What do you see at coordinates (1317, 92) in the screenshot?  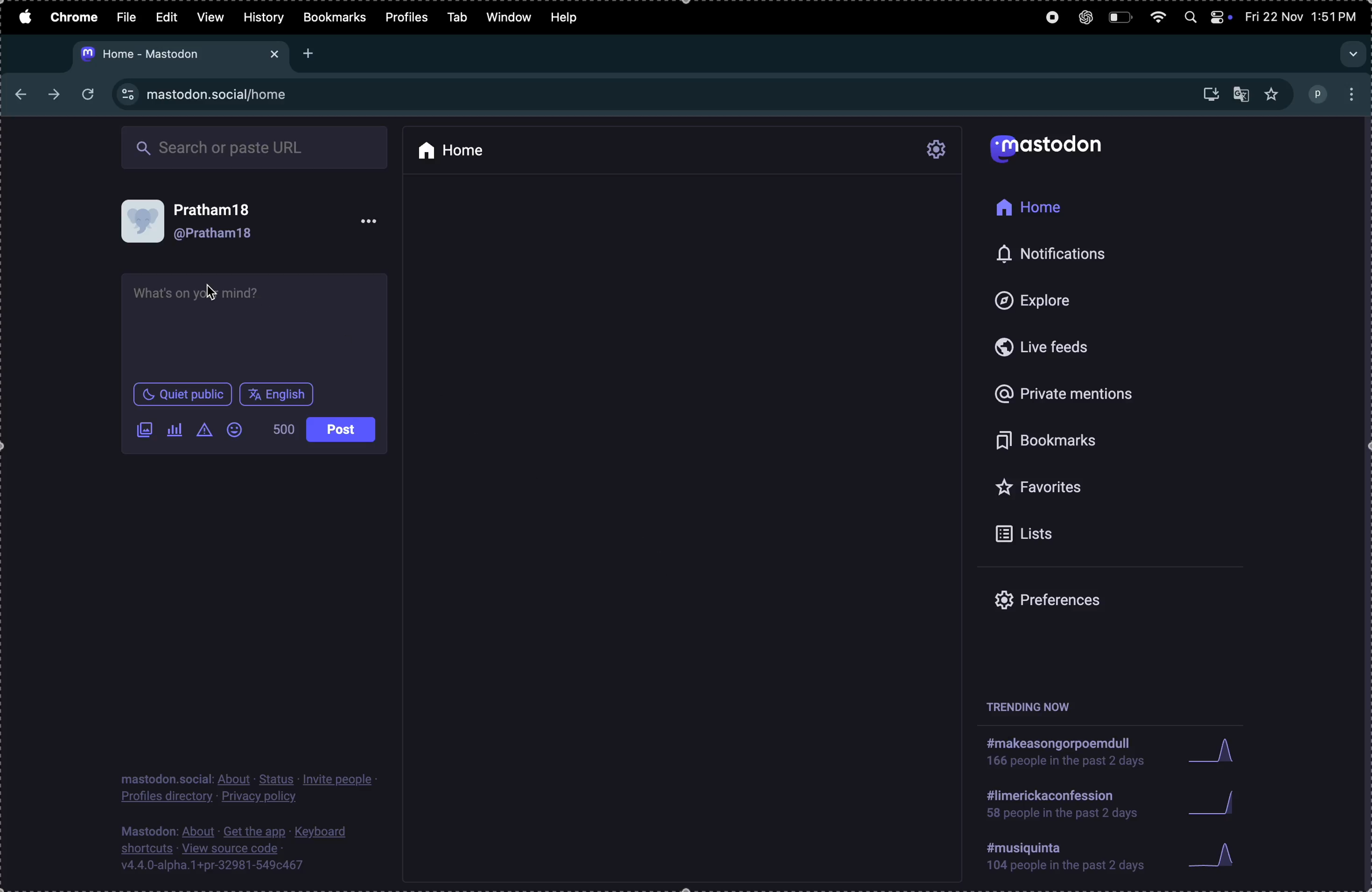 I see `profile` at bounding box center [1317, 92].